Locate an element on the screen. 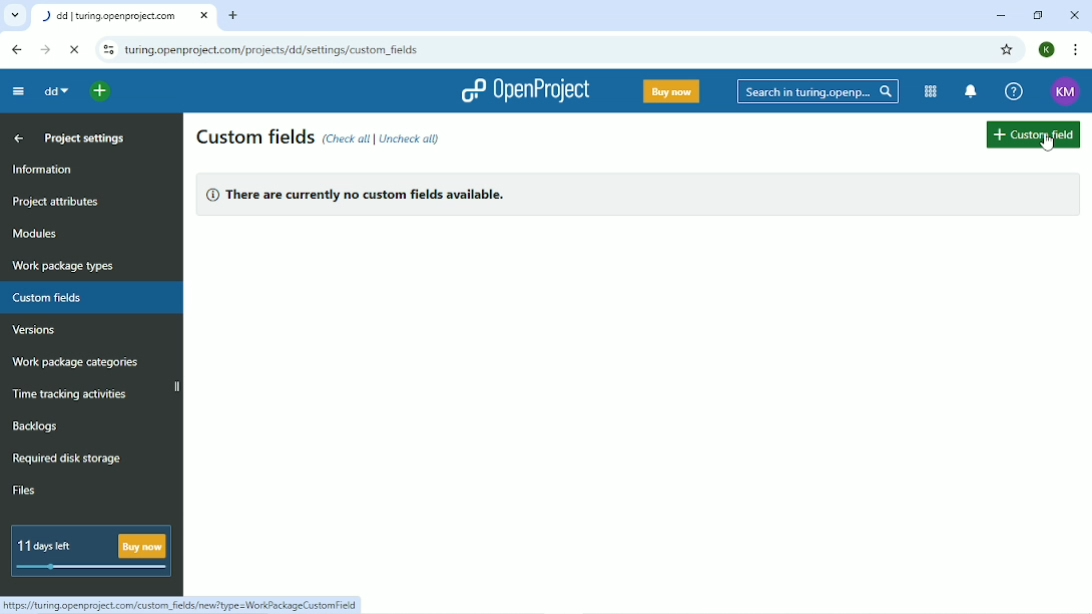 Image resolution: width=1092 pixels, height=614 pixels. There are currently no custom fields available. is located at coordinates (363, 197).